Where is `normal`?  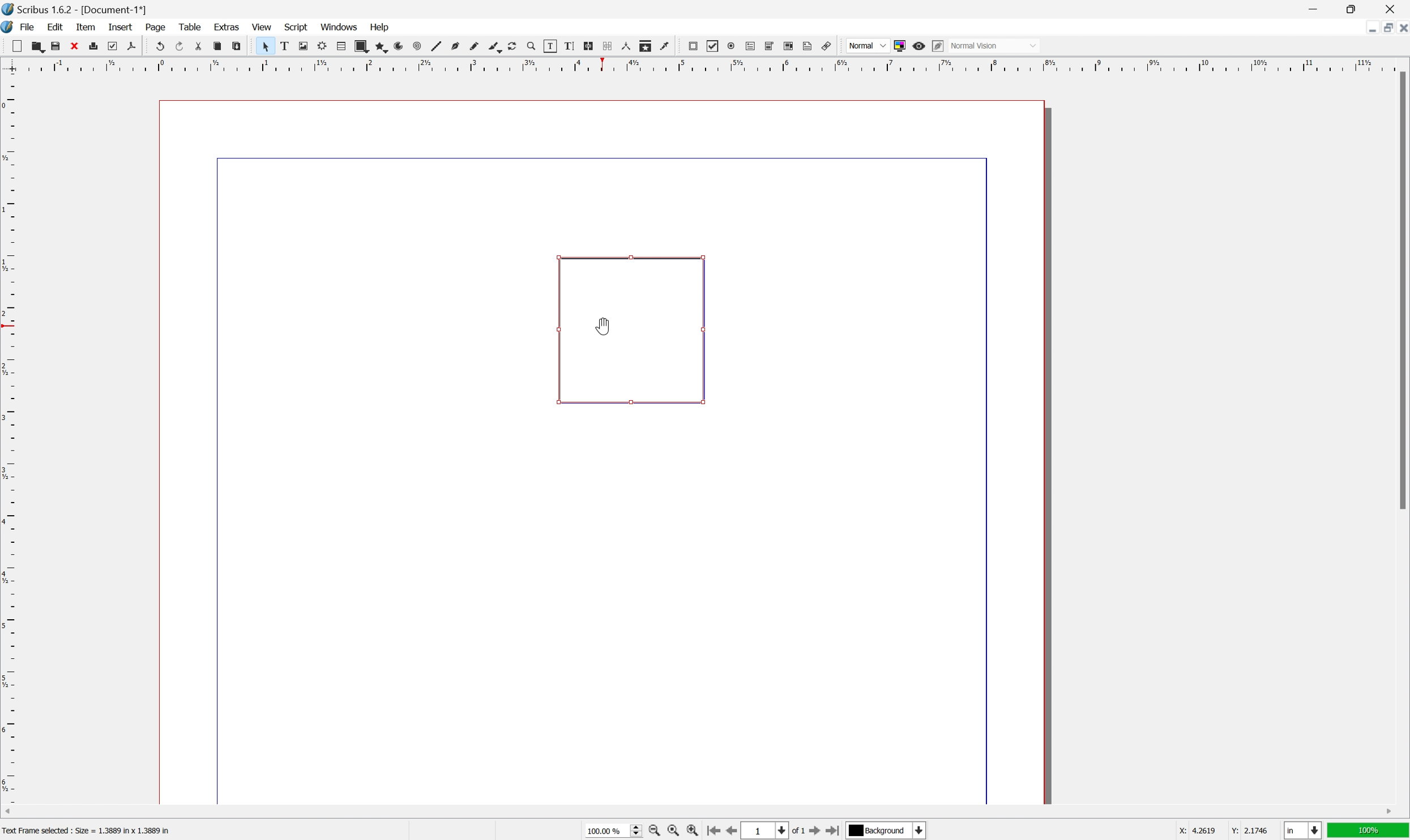
normal is located at coordinates (867, 44).